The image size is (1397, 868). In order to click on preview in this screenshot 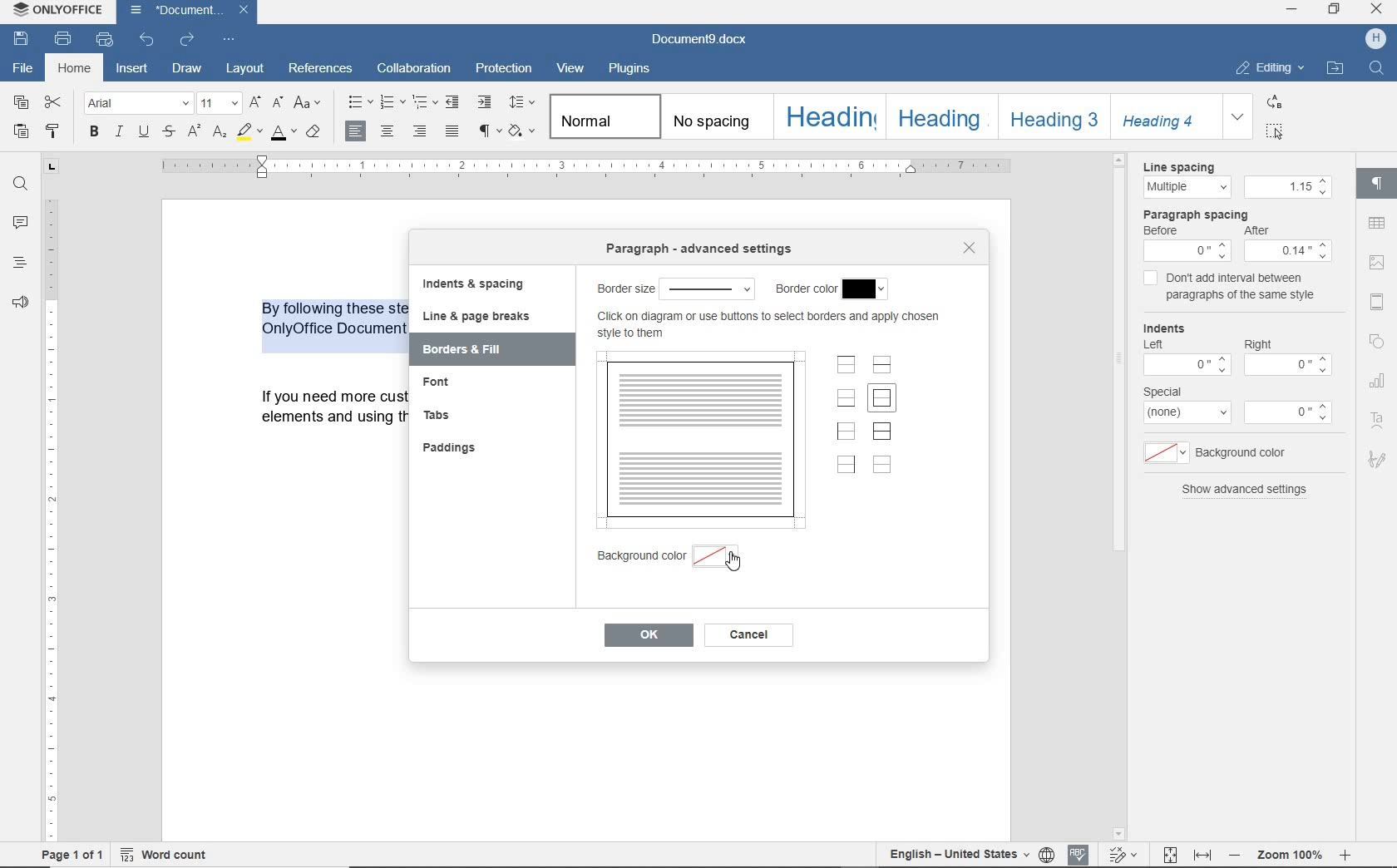, I will do `click(703, 441)`.